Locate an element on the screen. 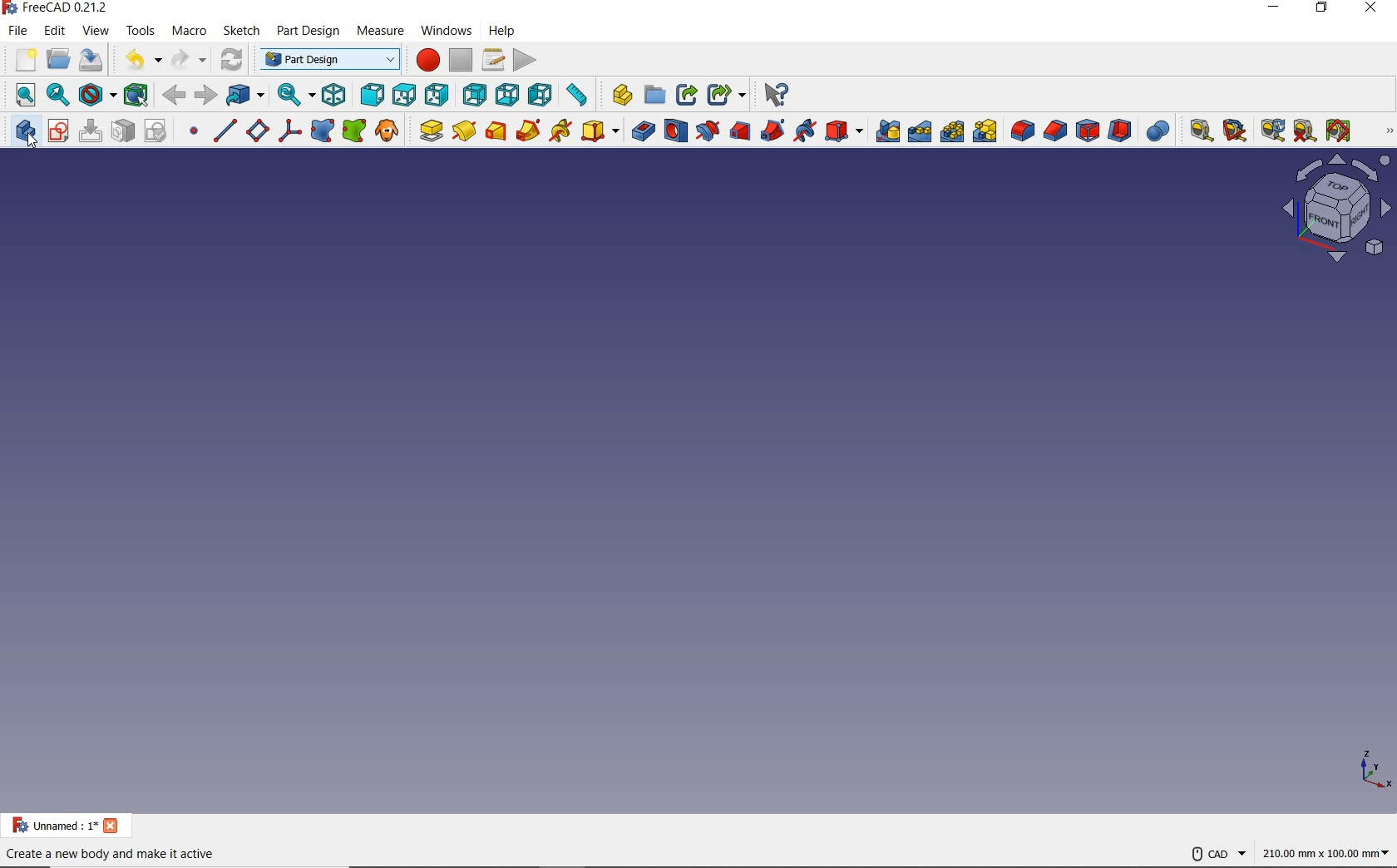 The image size is (1397, 868). Share is located at coordinates (686, 96).